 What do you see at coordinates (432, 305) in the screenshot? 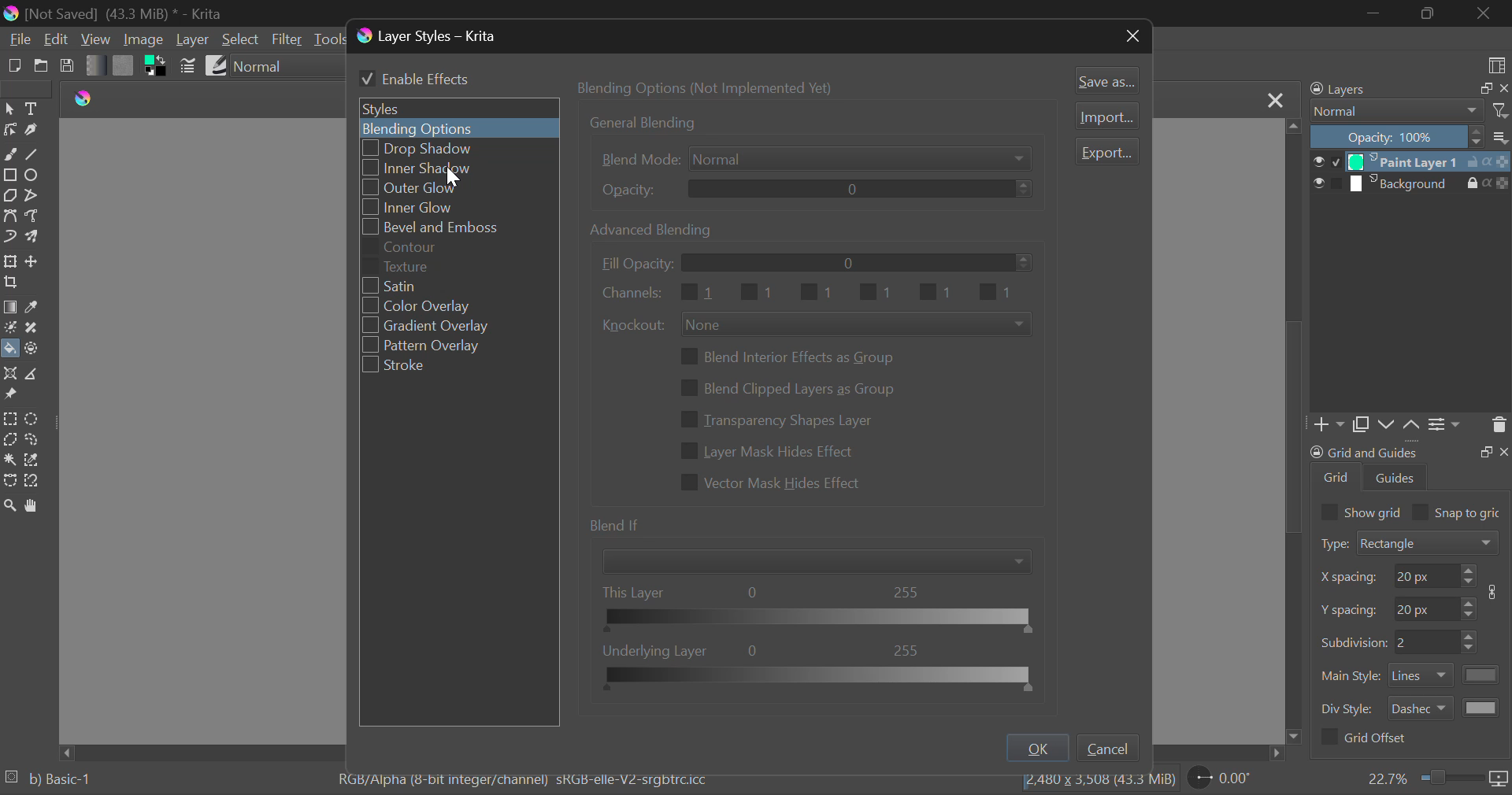
I see `Color Overlay` at bounding box center [432, 305].